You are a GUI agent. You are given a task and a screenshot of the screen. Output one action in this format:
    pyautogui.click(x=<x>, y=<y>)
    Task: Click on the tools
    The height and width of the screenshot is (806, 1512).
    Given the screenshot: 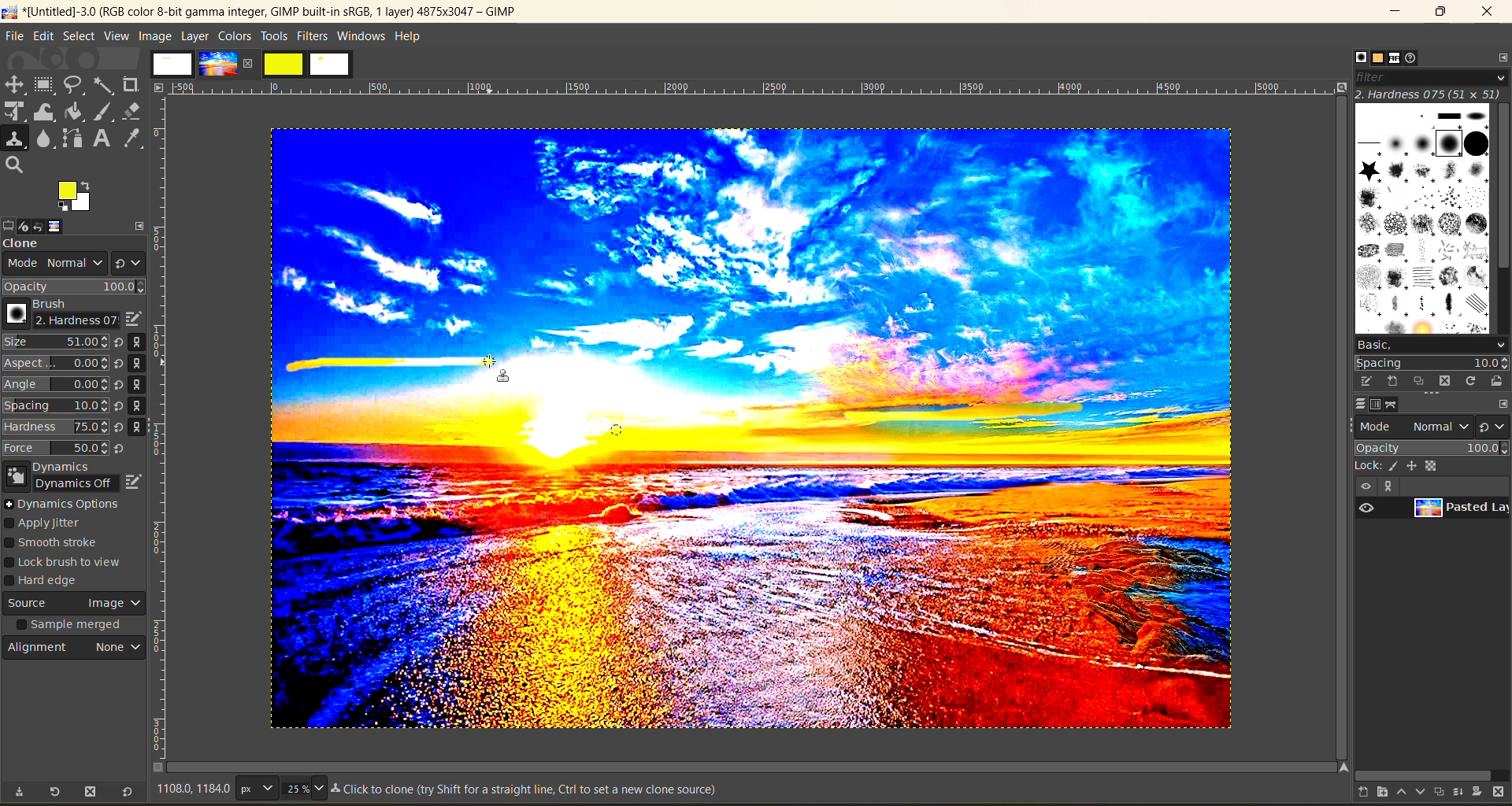 What is the action you would take?
    pyautogui.click(x=274, y=36)
    